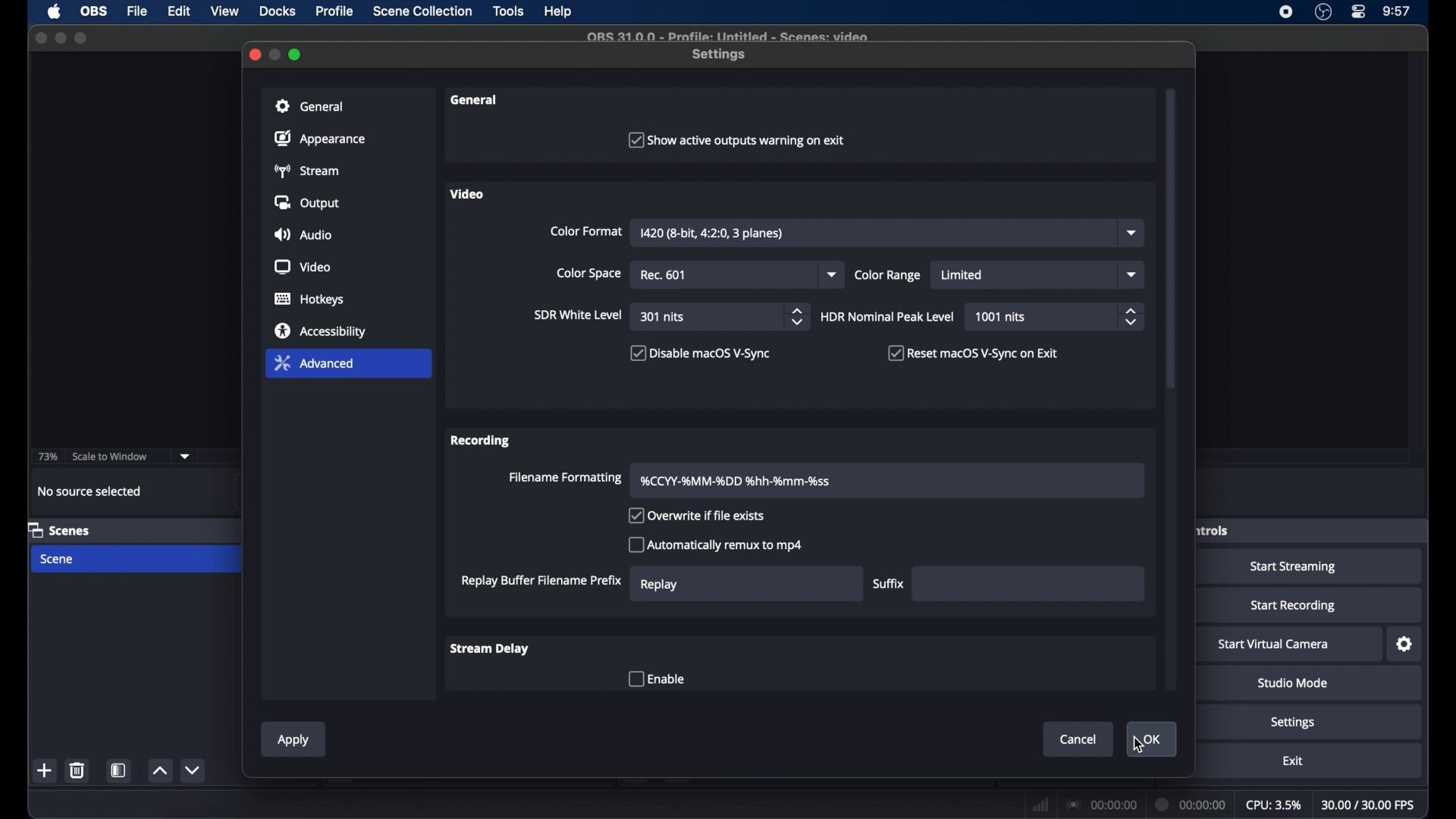  I want to click on scene filters, so click(119, 770).